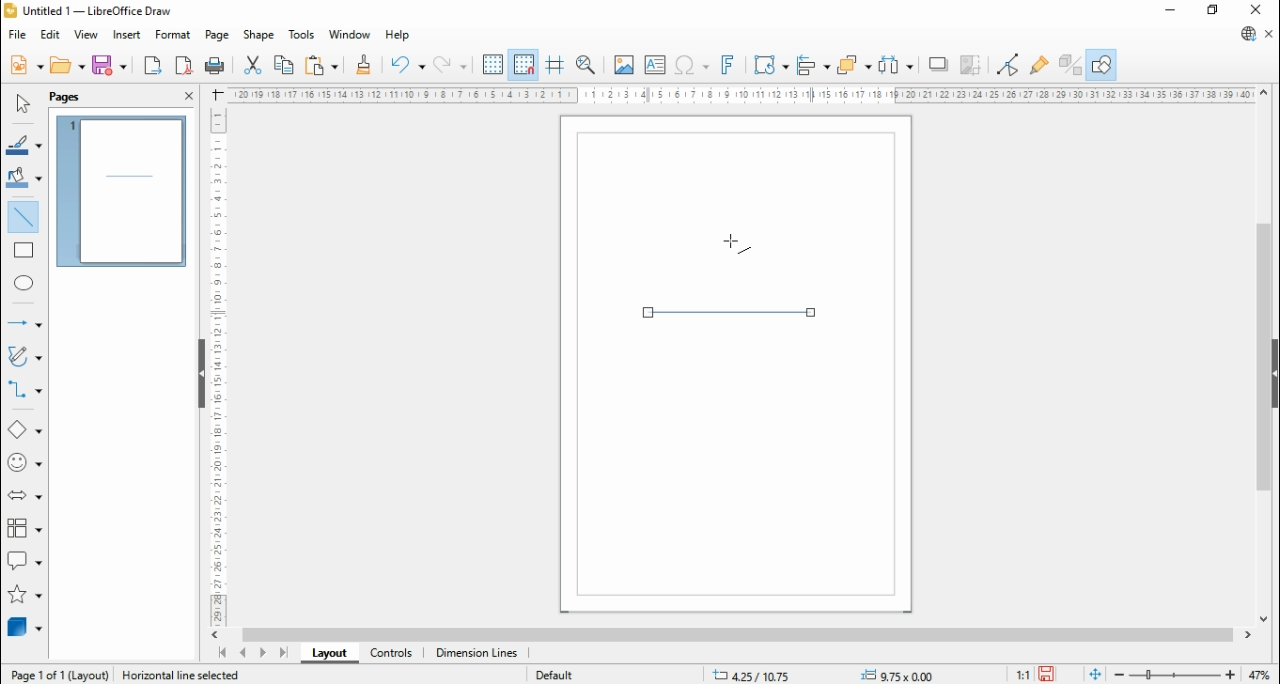 This screenshot has height=684, width=1280. I want to click on cut, so click(254, 66).